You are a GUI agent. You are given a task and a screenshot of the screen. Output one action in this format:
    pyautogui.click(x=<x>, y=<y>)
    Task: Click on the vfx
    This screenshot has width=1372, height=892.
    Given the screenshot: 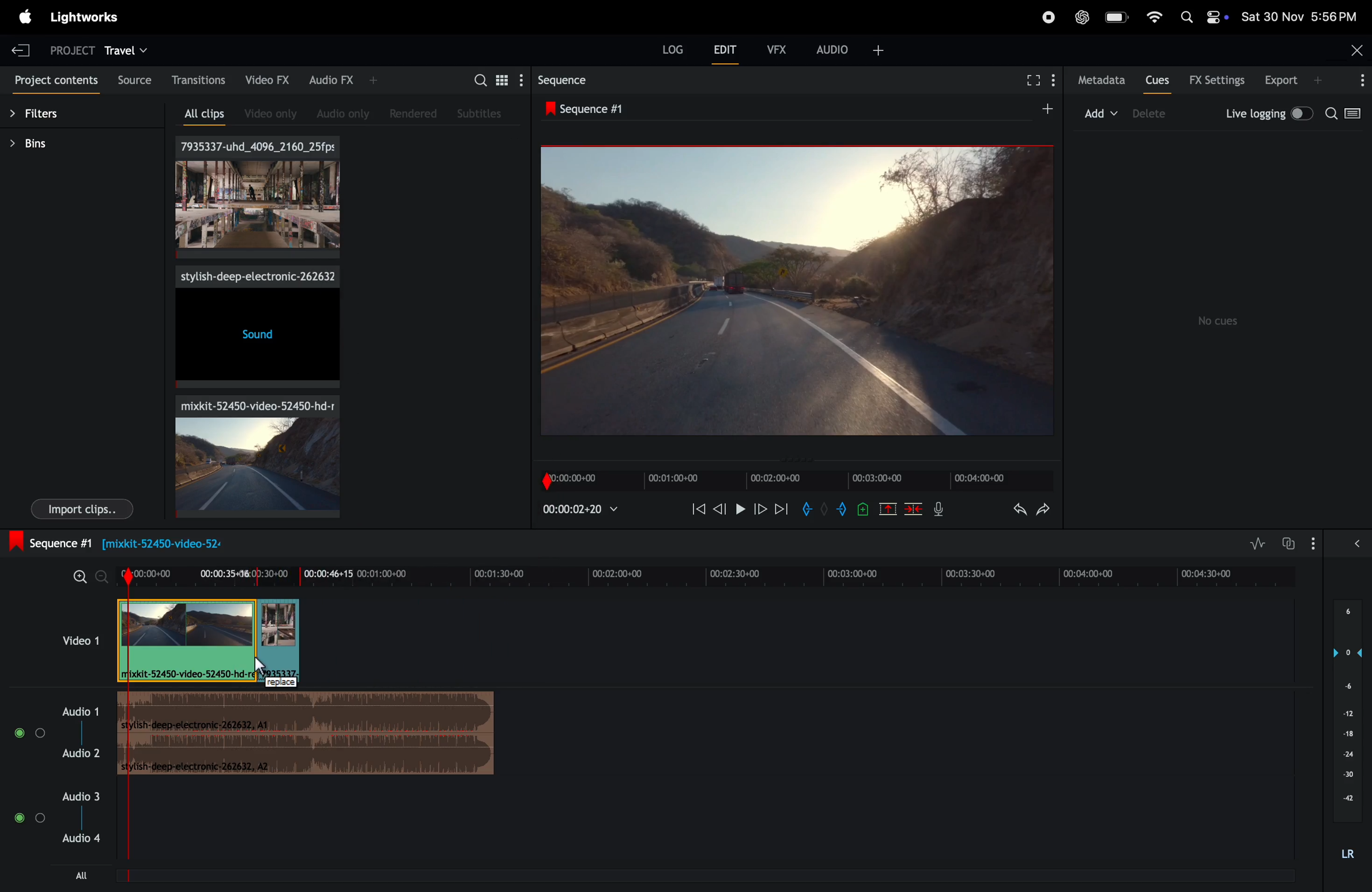 What is the action you would take?
    pyautogui.click(x=775, y=48)
    